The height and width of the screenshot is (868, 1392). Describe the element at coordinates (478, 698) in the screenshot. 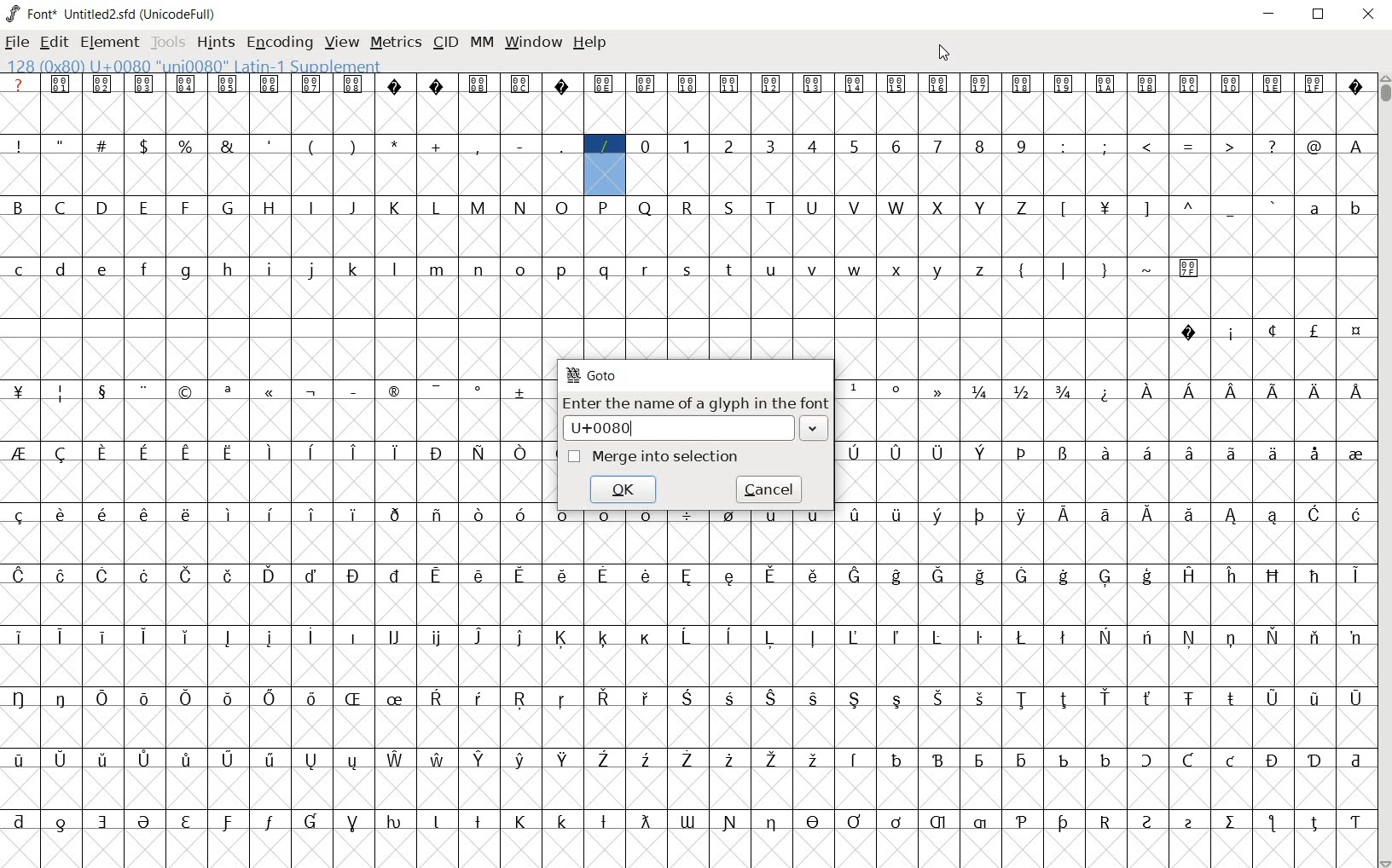

I see `glyph` at that location.